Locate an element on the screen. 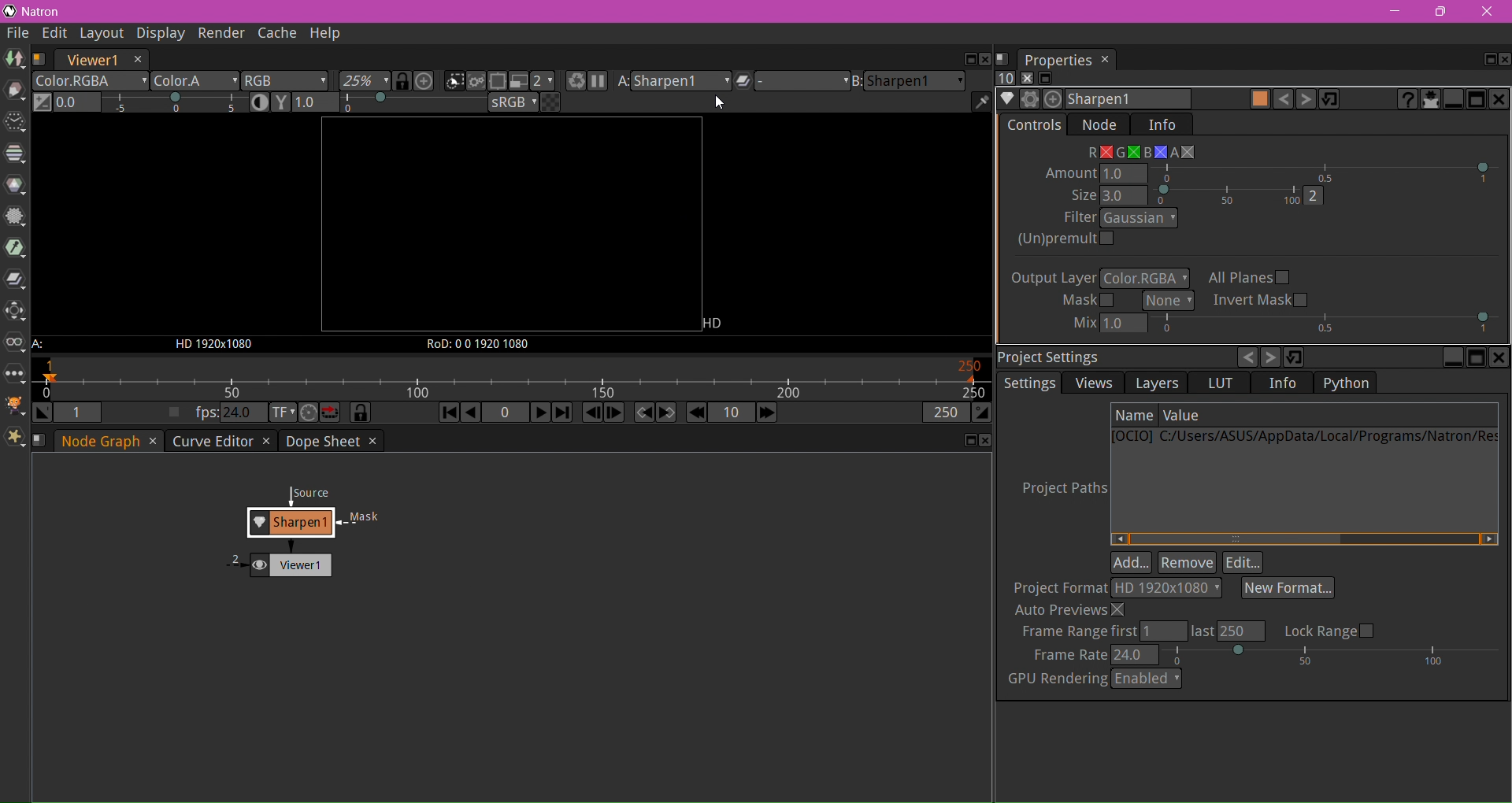  minimize is located at coordinates (1396, 13).